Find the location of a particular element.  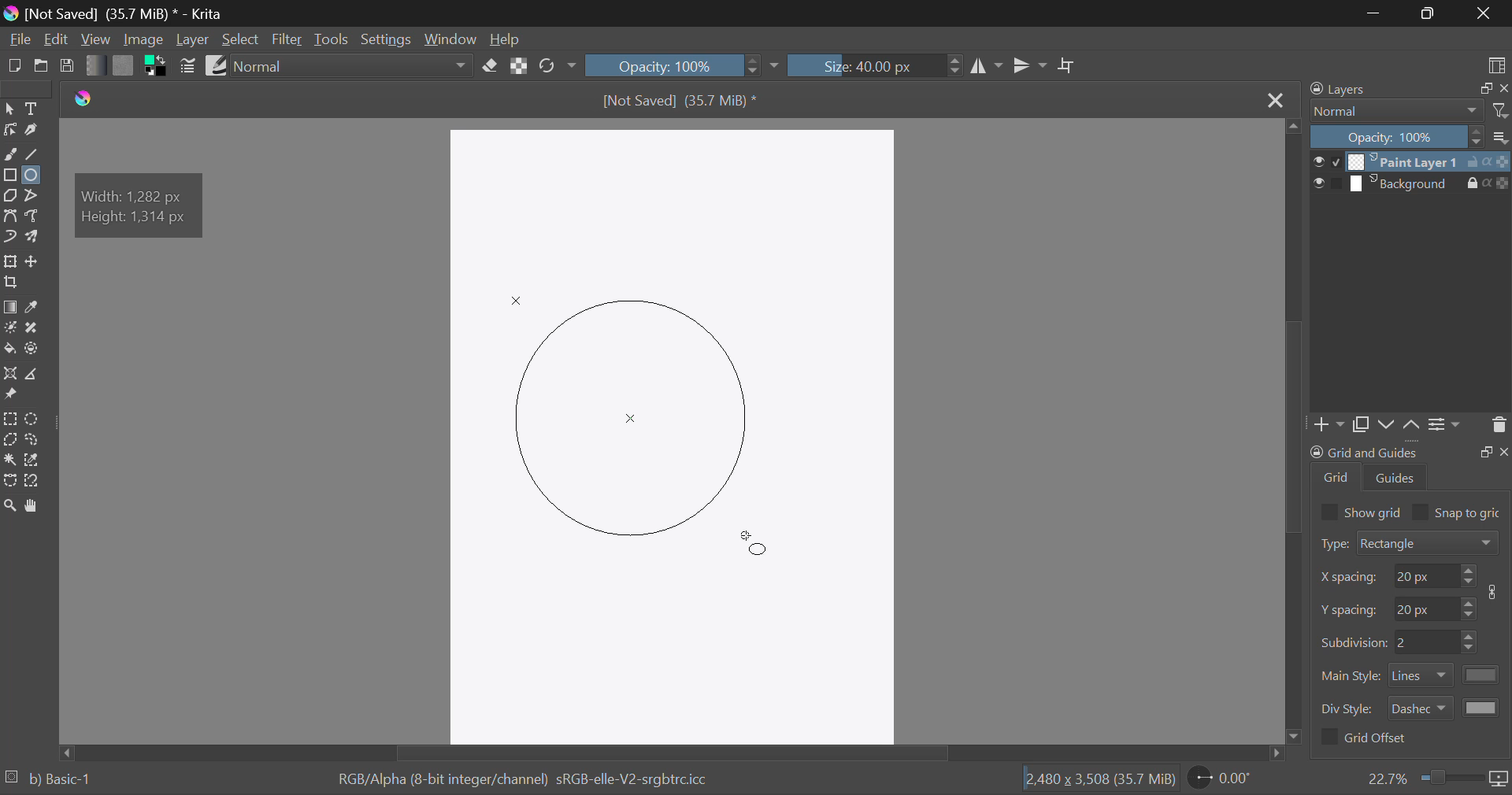

Rotate is located at coordinates (558, 66).